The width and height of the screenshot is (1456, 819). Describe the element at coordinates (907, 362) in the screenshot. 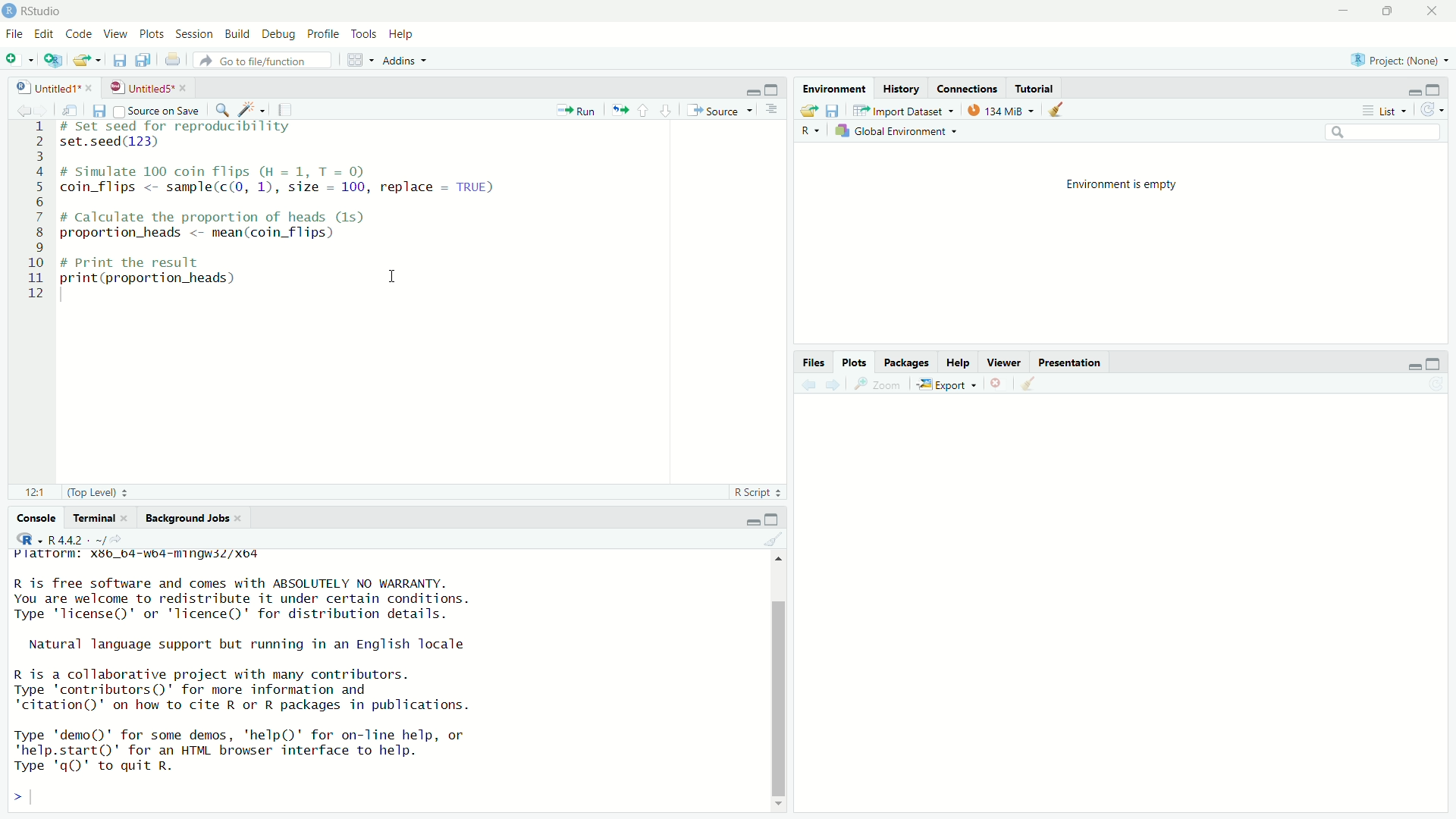

I see `Packages` at that location.